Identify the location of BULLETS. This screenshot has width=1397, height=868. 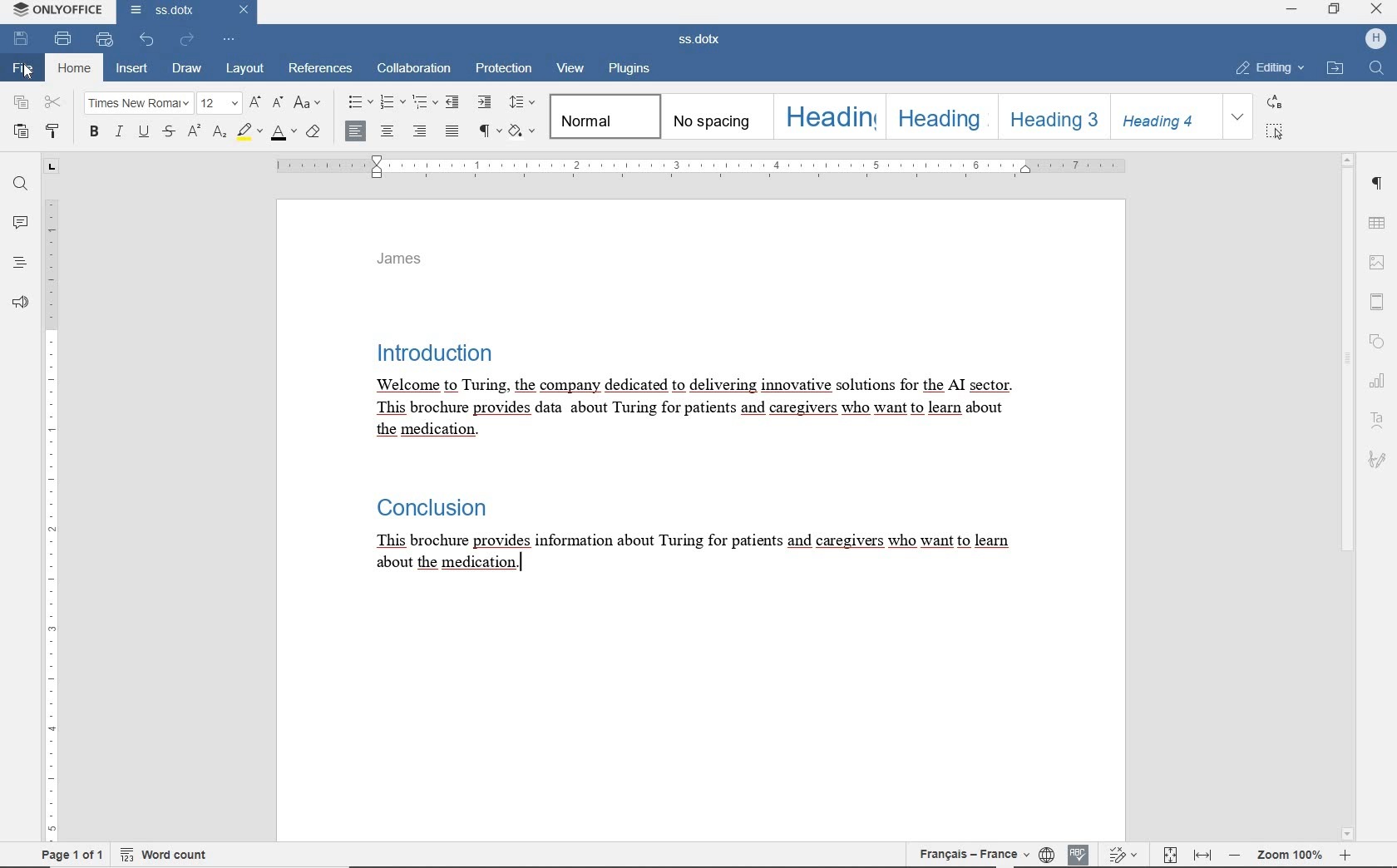
(358, 103).